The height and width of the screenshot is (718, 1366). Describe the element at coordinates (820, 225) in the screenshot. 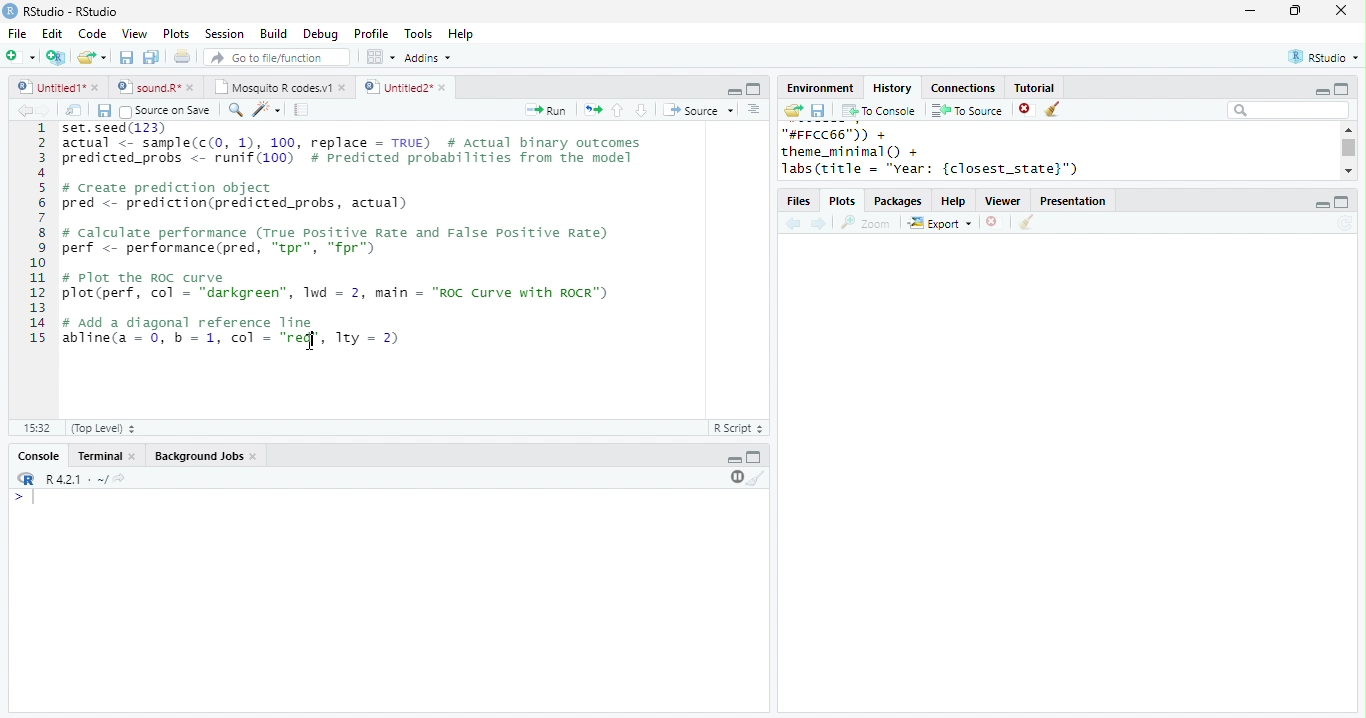

I see `forward` at that location.